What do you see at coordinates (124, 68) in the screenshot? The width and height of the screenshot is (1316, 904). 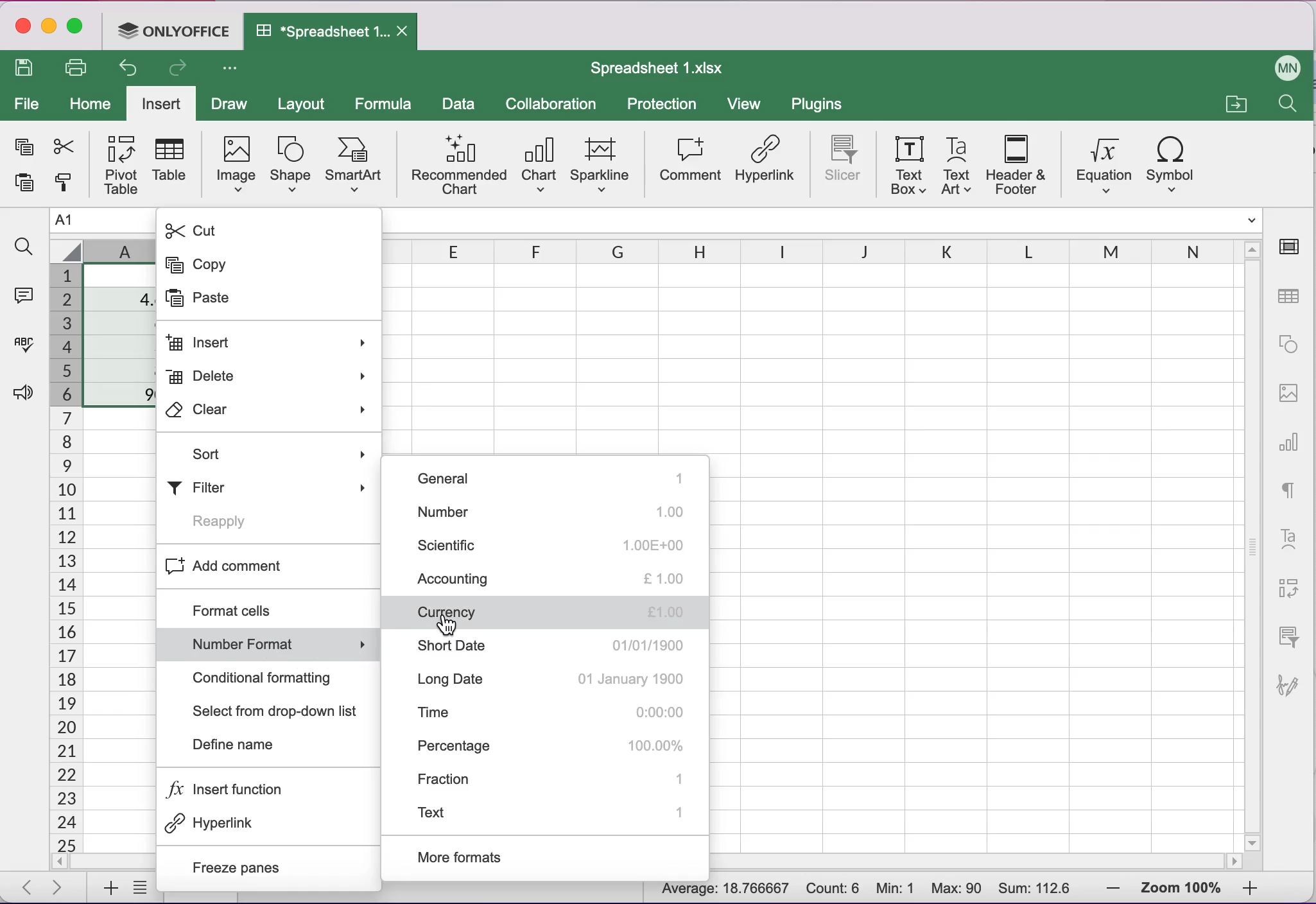 I see `undo` at bounding box center [124, 68].